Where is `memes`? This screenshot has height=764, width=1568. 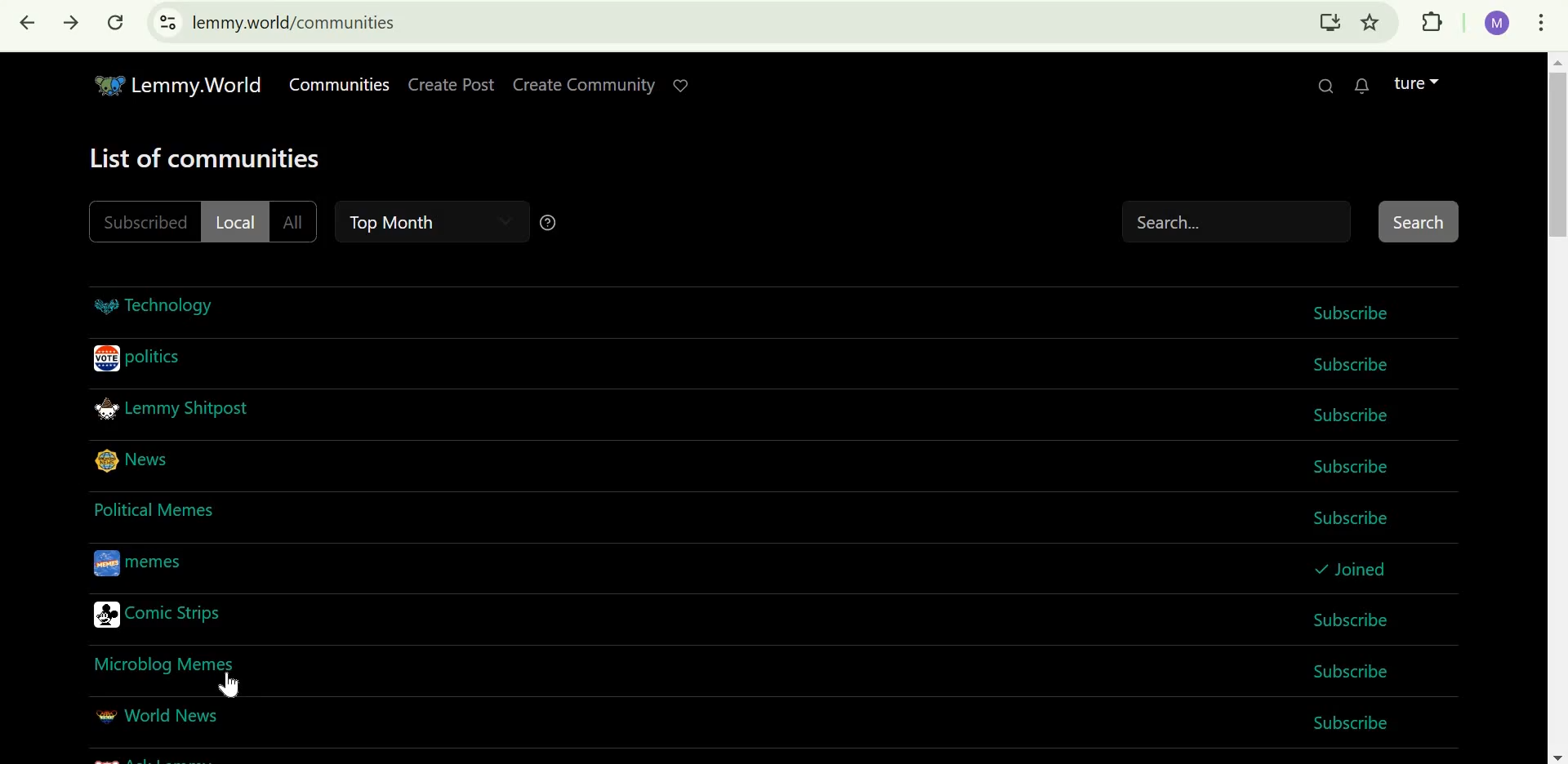
memes is located at coordinates (142, 562).